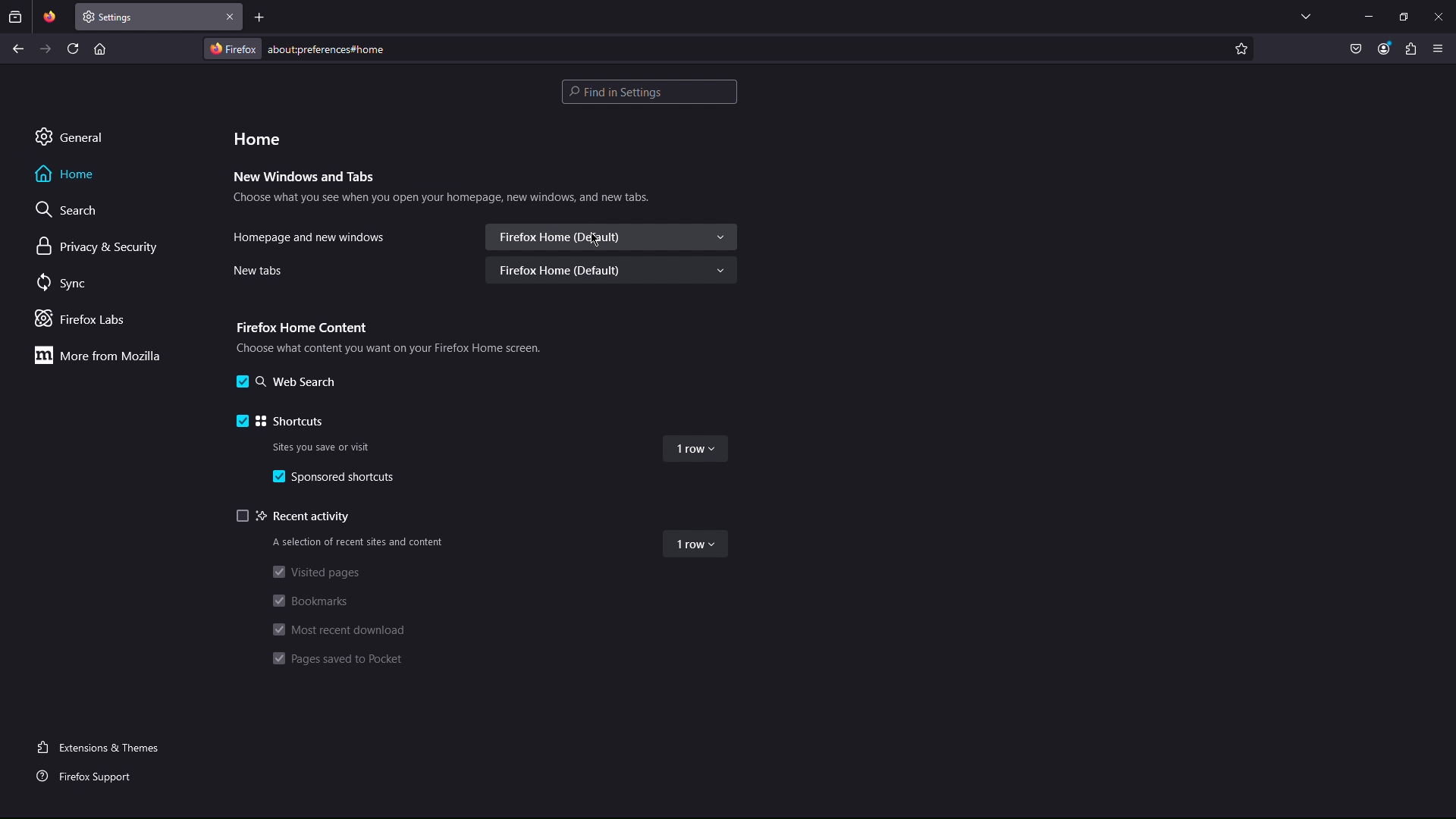  I want to click on 1 row, so click(693, 449).